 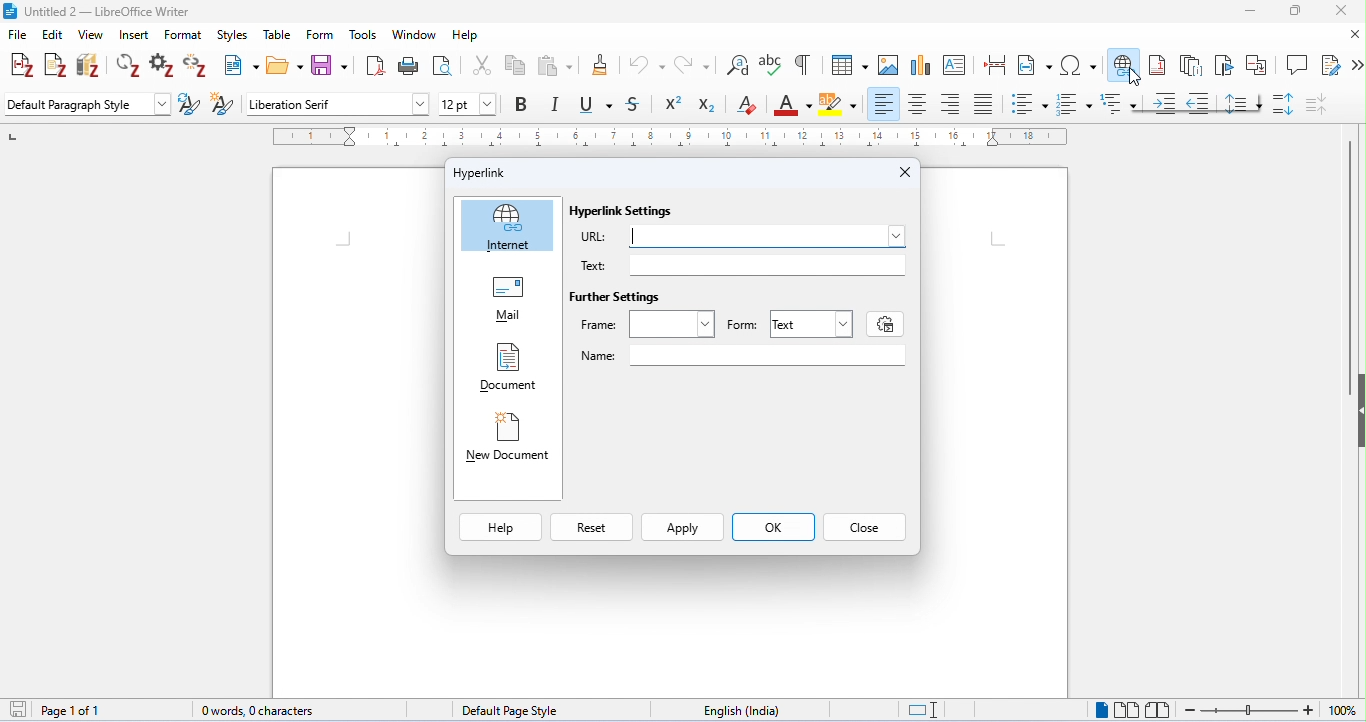 I want to click on Name, so click(x=598, y=355).